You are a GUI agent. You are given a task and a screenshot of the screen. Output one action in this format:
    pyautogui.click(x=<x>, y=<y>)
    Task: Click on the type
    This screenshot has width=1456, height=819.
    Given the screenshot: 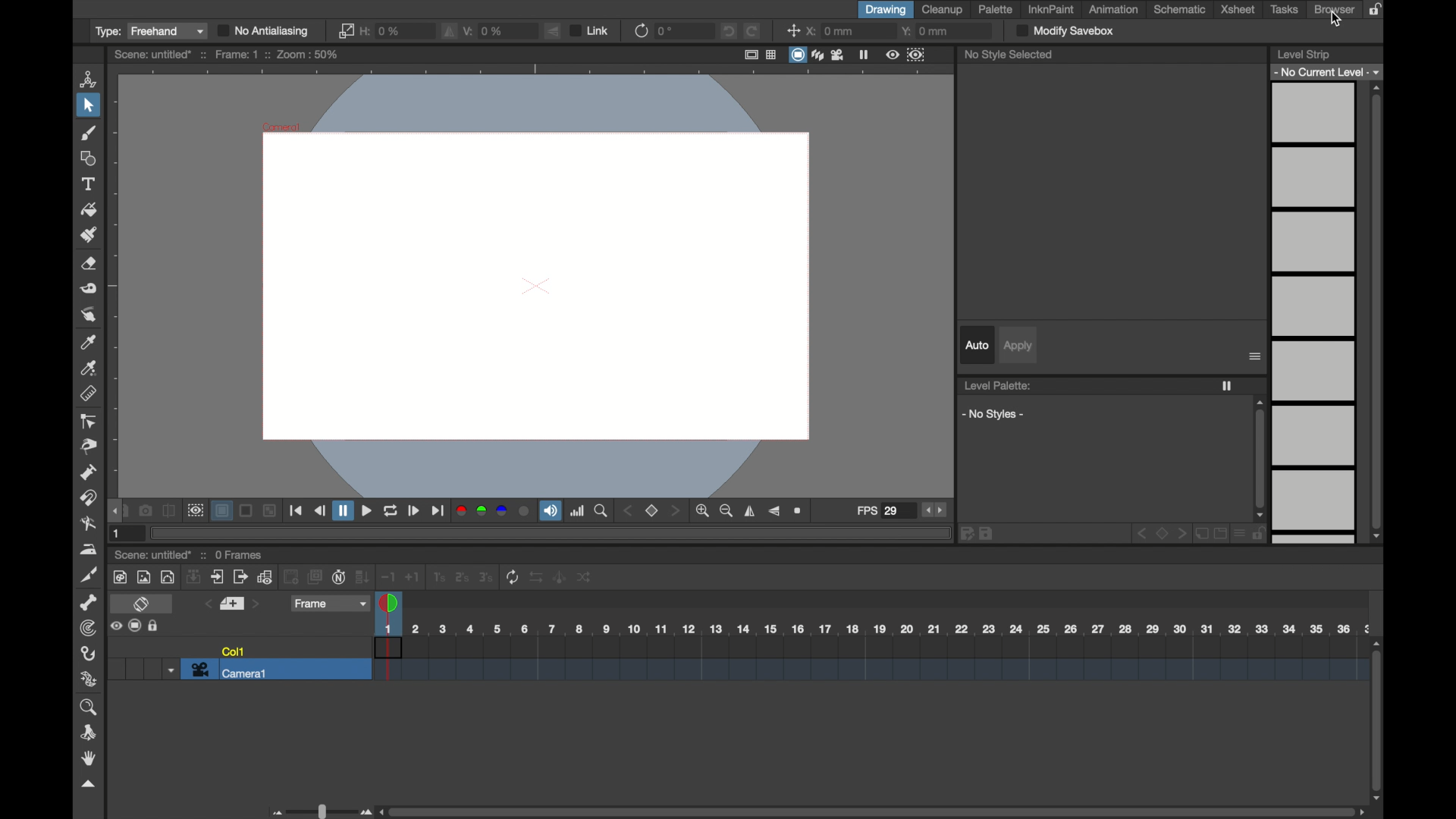 What is the action you would take?
    pyautogui.click(x=150, y=32)
    